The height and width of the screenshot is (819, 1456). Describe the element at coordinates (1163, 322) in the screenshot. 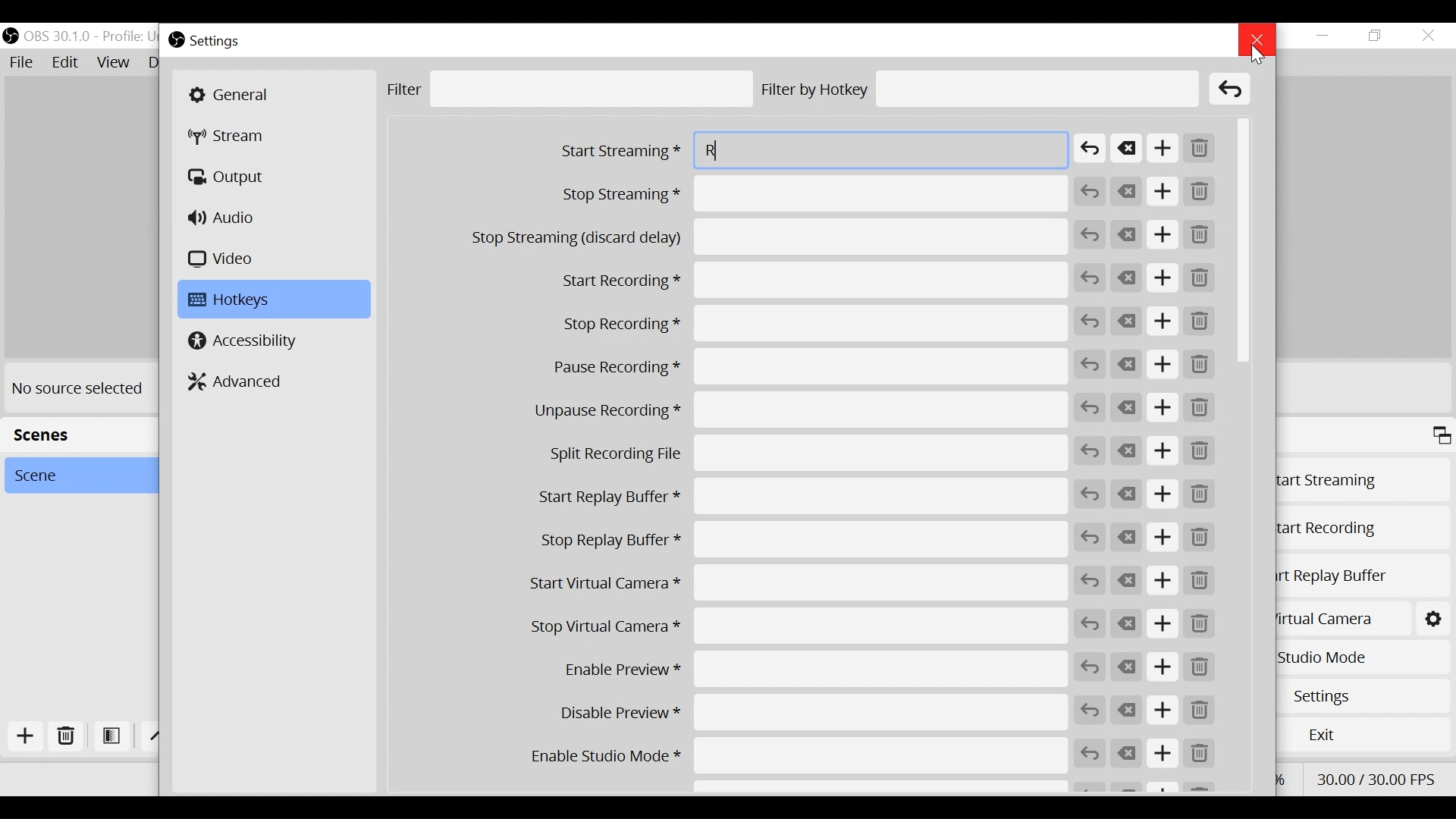

I see `Add` at that location.